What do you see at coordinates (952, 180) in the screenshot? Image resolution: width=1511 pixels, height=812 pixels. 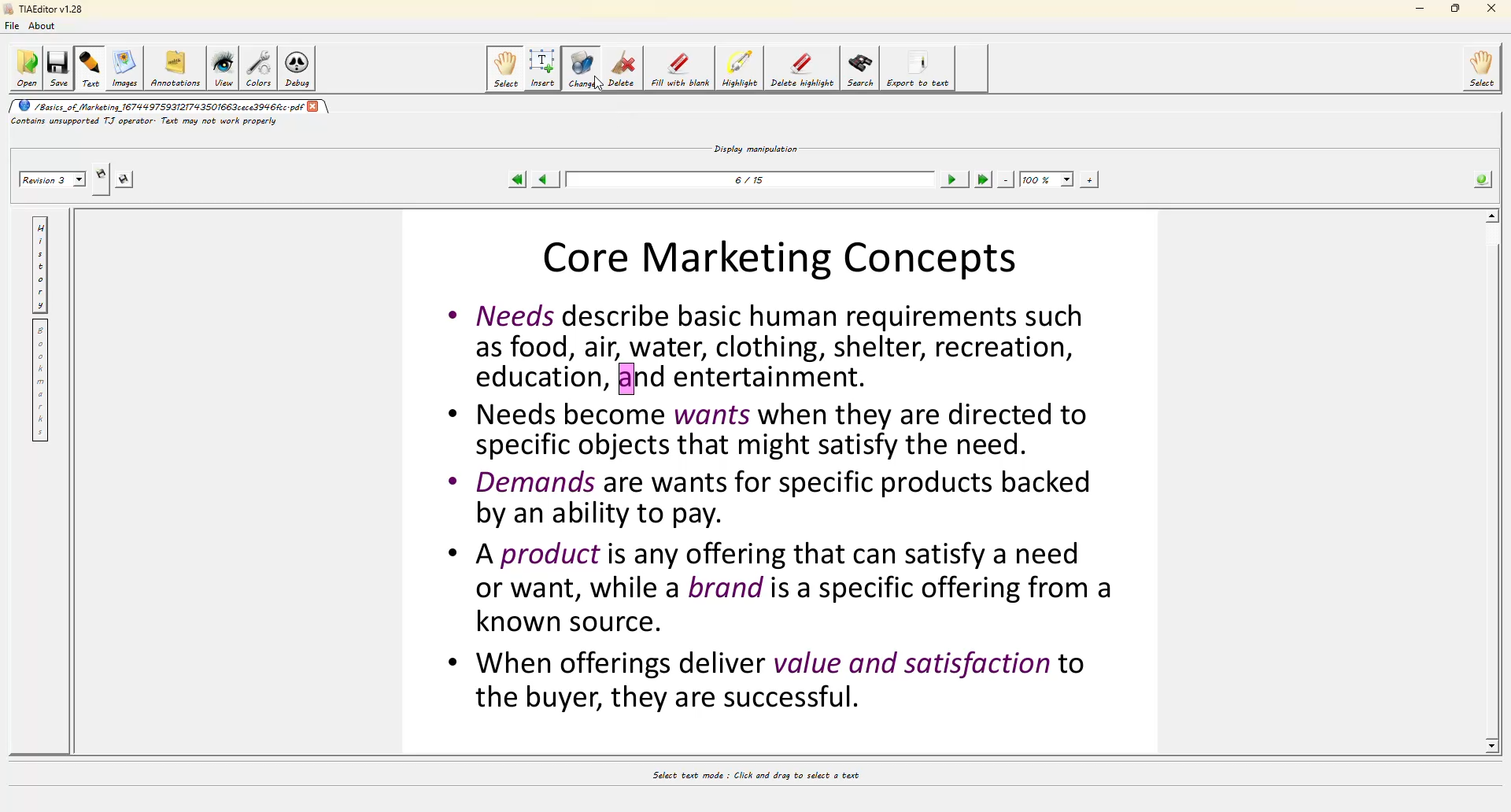 I see `next page` at bounding box center [952, 180].